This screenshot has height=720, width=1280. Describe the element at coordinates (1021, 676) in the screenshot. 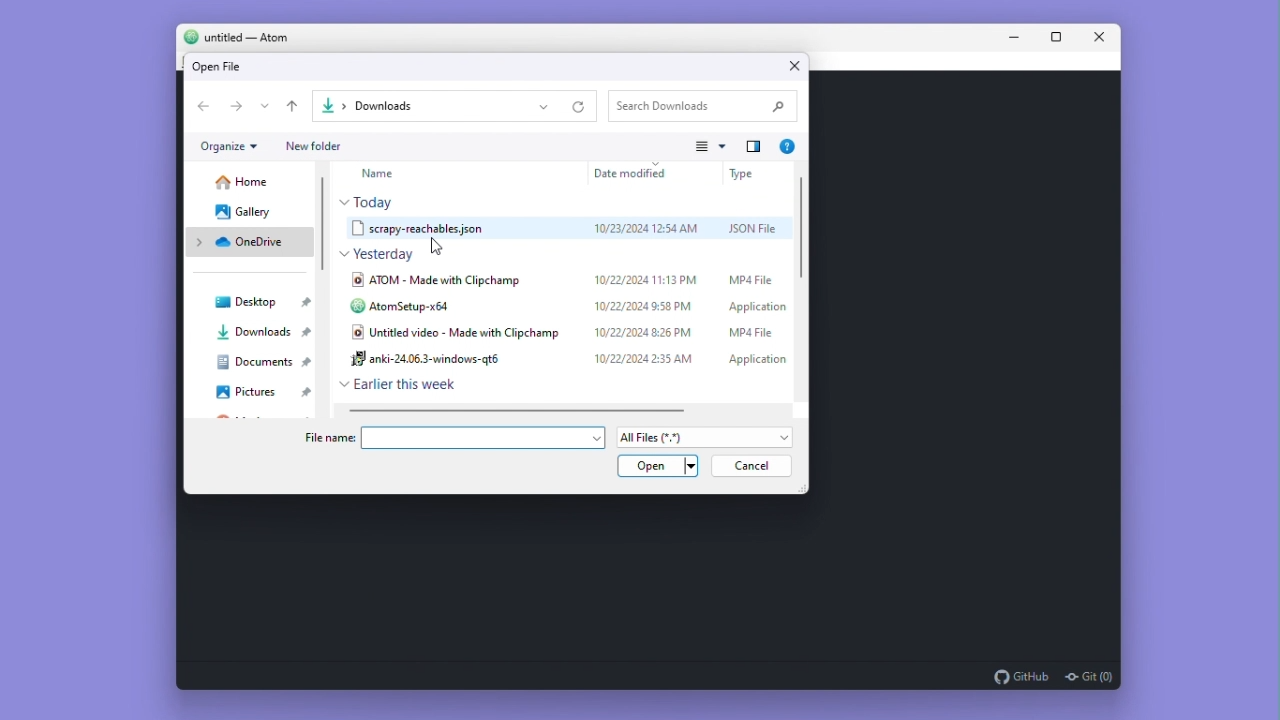

I see `github` at that location.